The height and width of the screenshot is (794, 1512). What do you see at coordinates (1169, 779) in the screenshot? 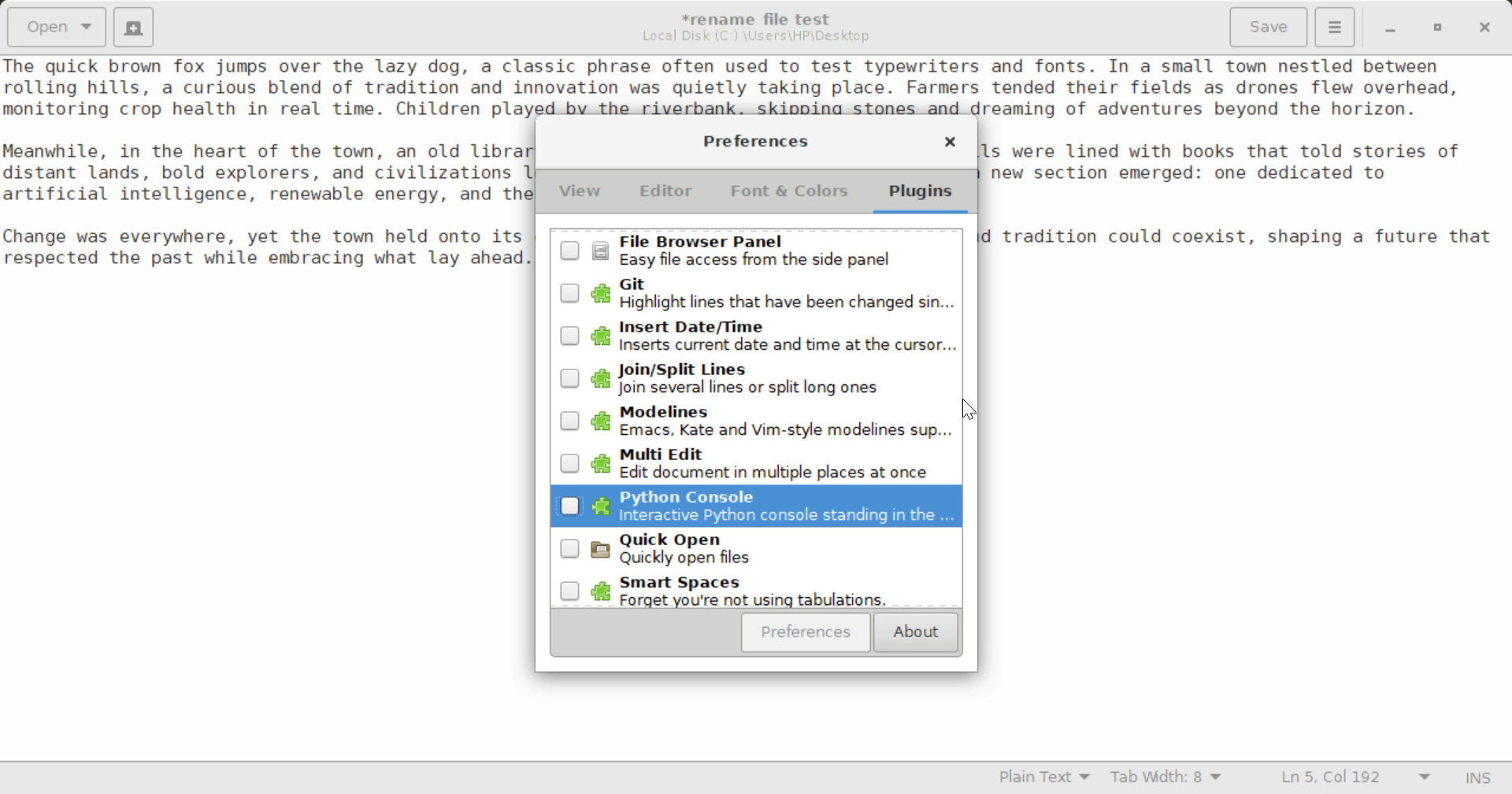
I see `Tab Width ` at bounding box center [1169, 779].